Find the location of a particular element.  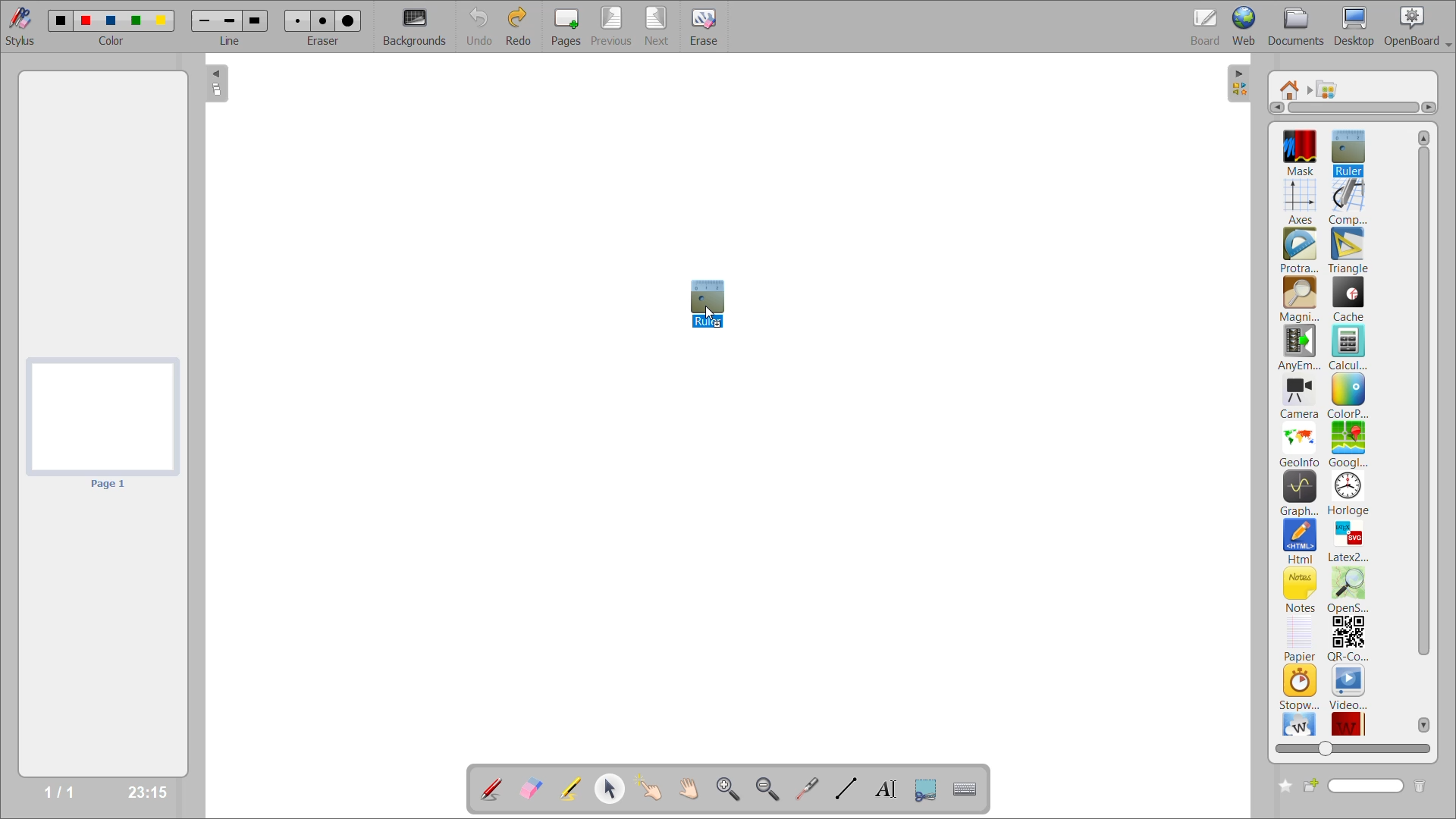

line  is located at coordinates (231, 40).